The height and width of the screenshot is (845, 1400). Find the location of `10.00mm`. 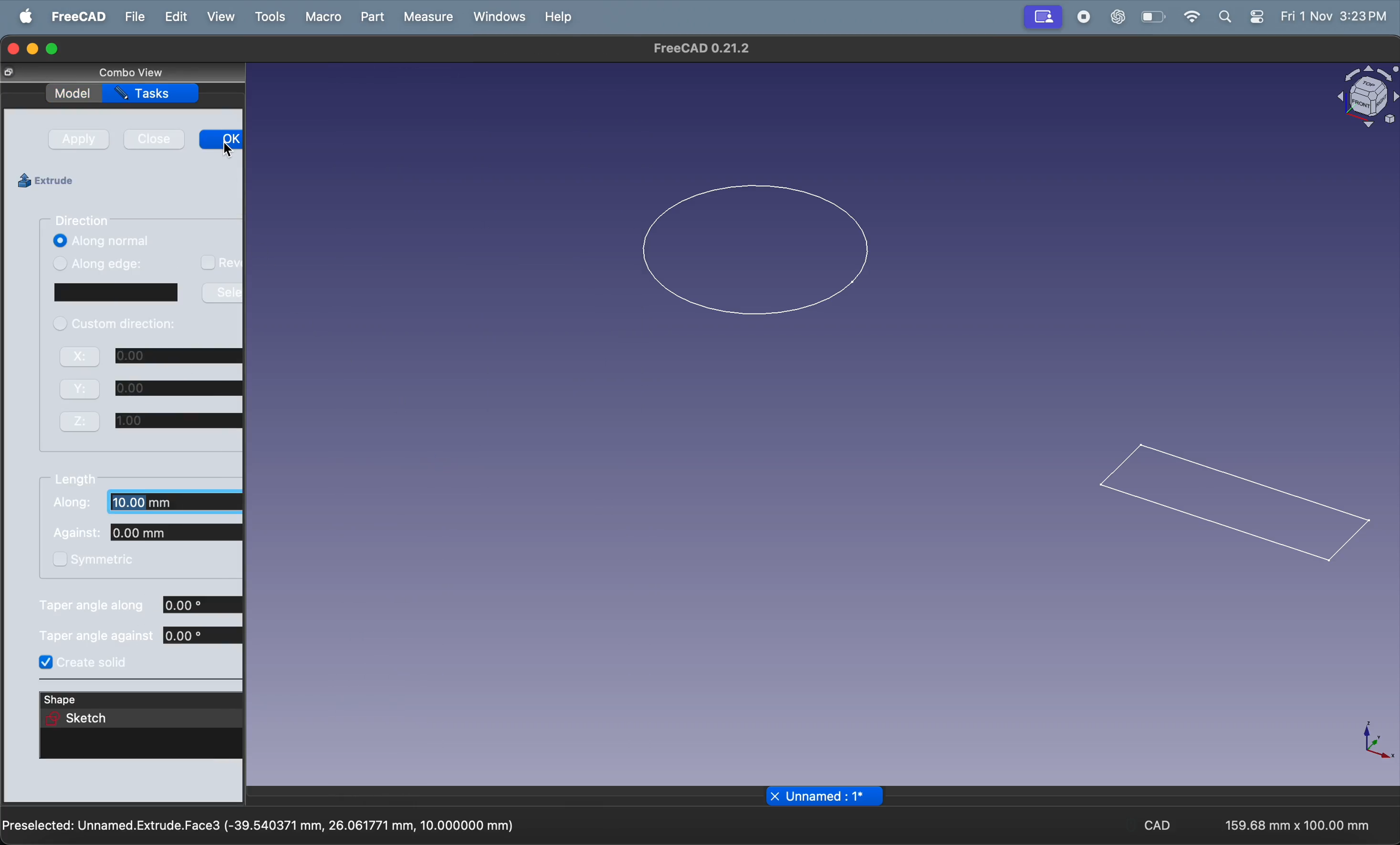

10.00mm is located at coordinates (176, 501).